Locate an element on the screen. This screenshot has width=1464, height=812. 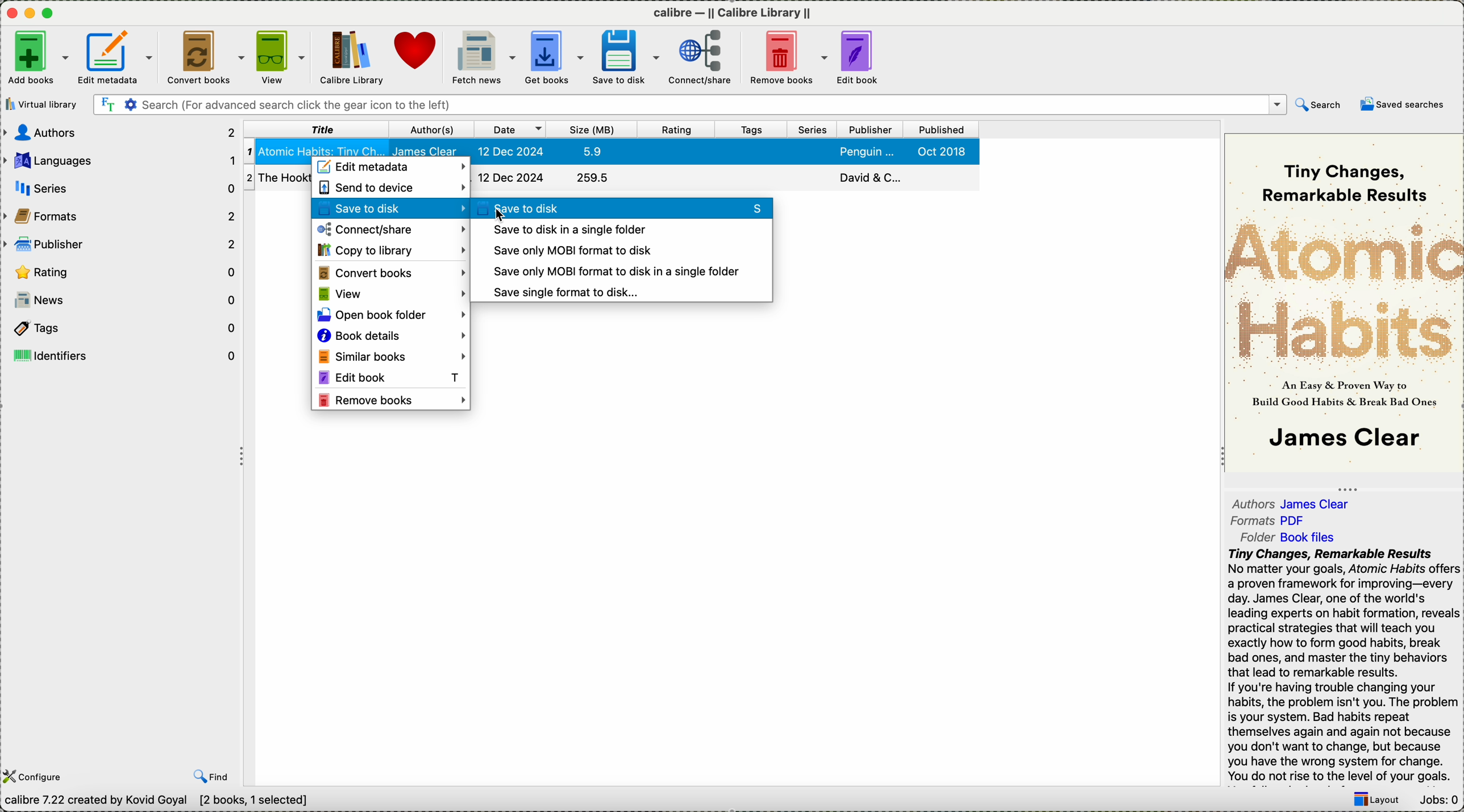
save to disk in a single folder is located at coordinates (569, 229).